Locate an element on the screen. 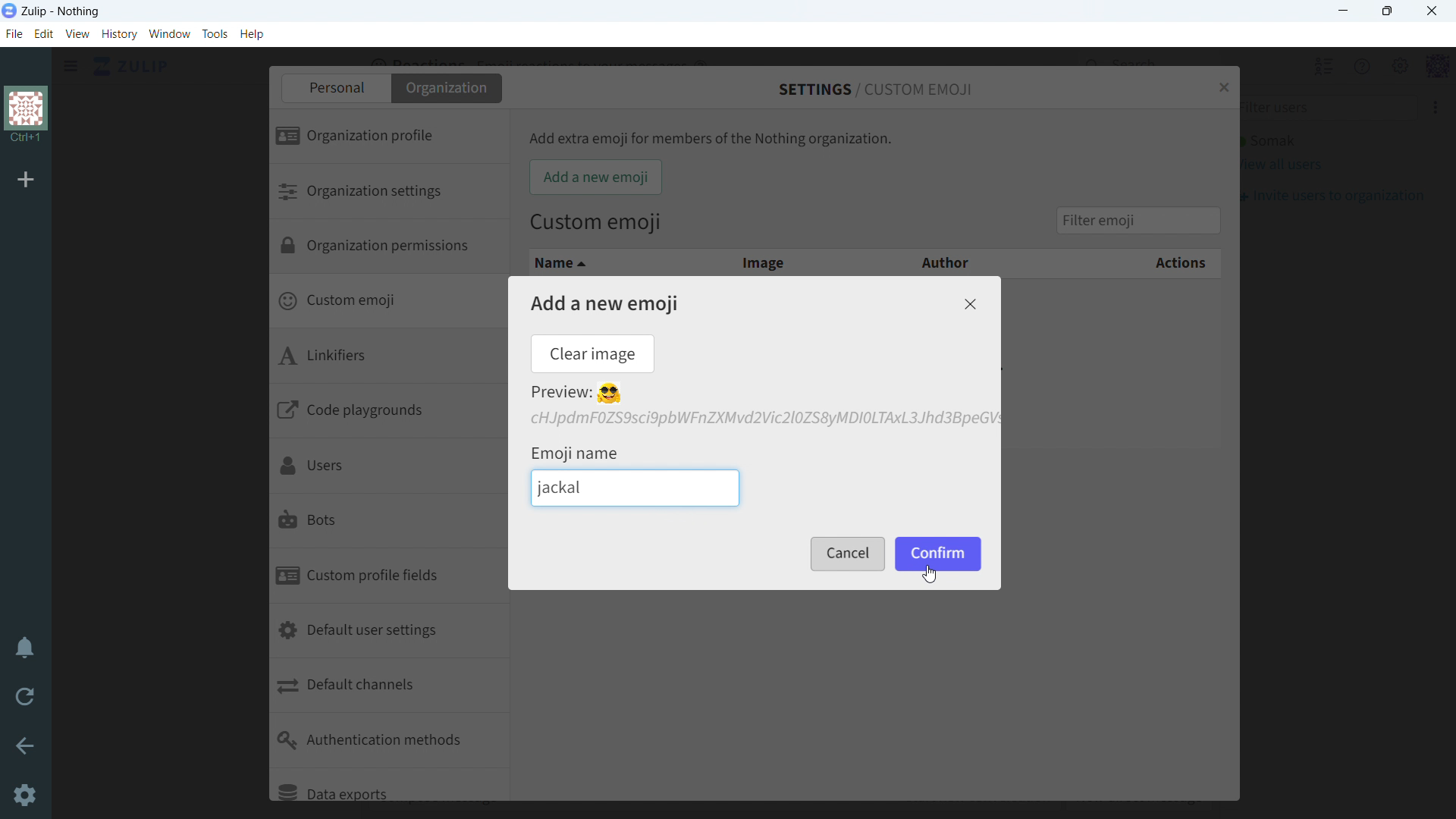 This screenshot has height=819, width=1456. cursor is located at coordinates (930, 575).